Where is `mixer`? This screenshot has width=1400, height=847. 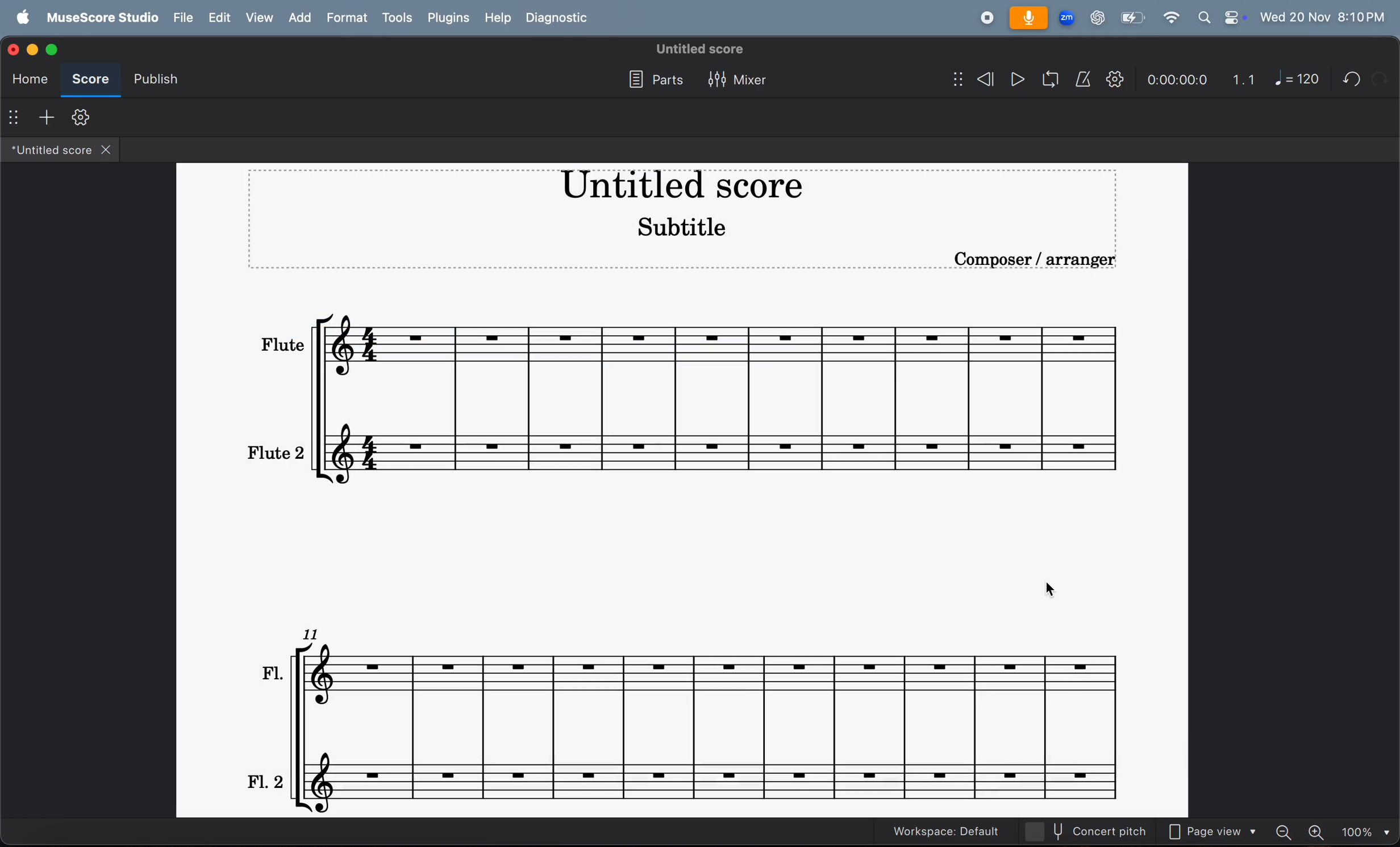 mixer is located at coordinates (735, 77).